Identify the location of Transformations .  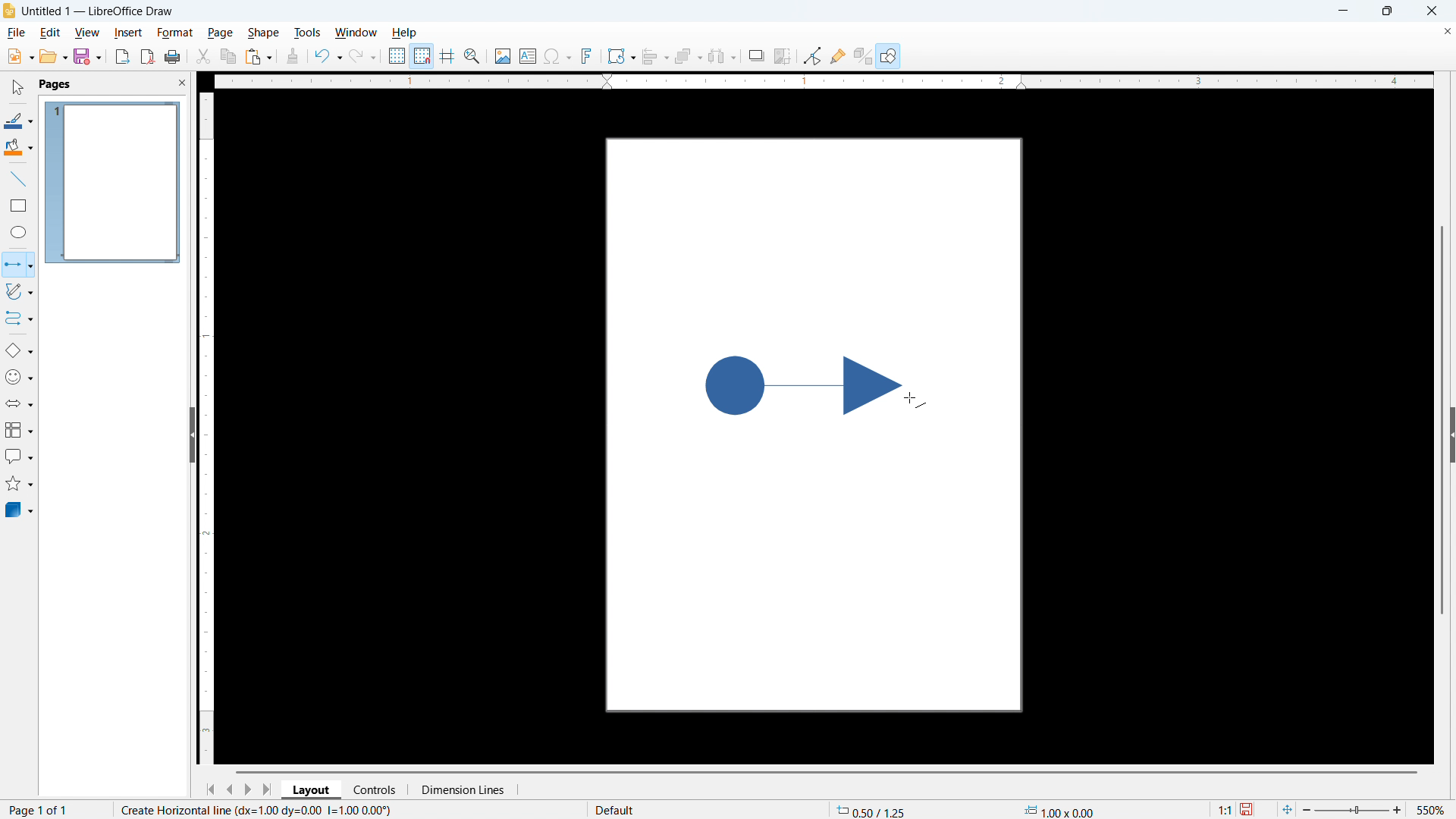
(621, 57).